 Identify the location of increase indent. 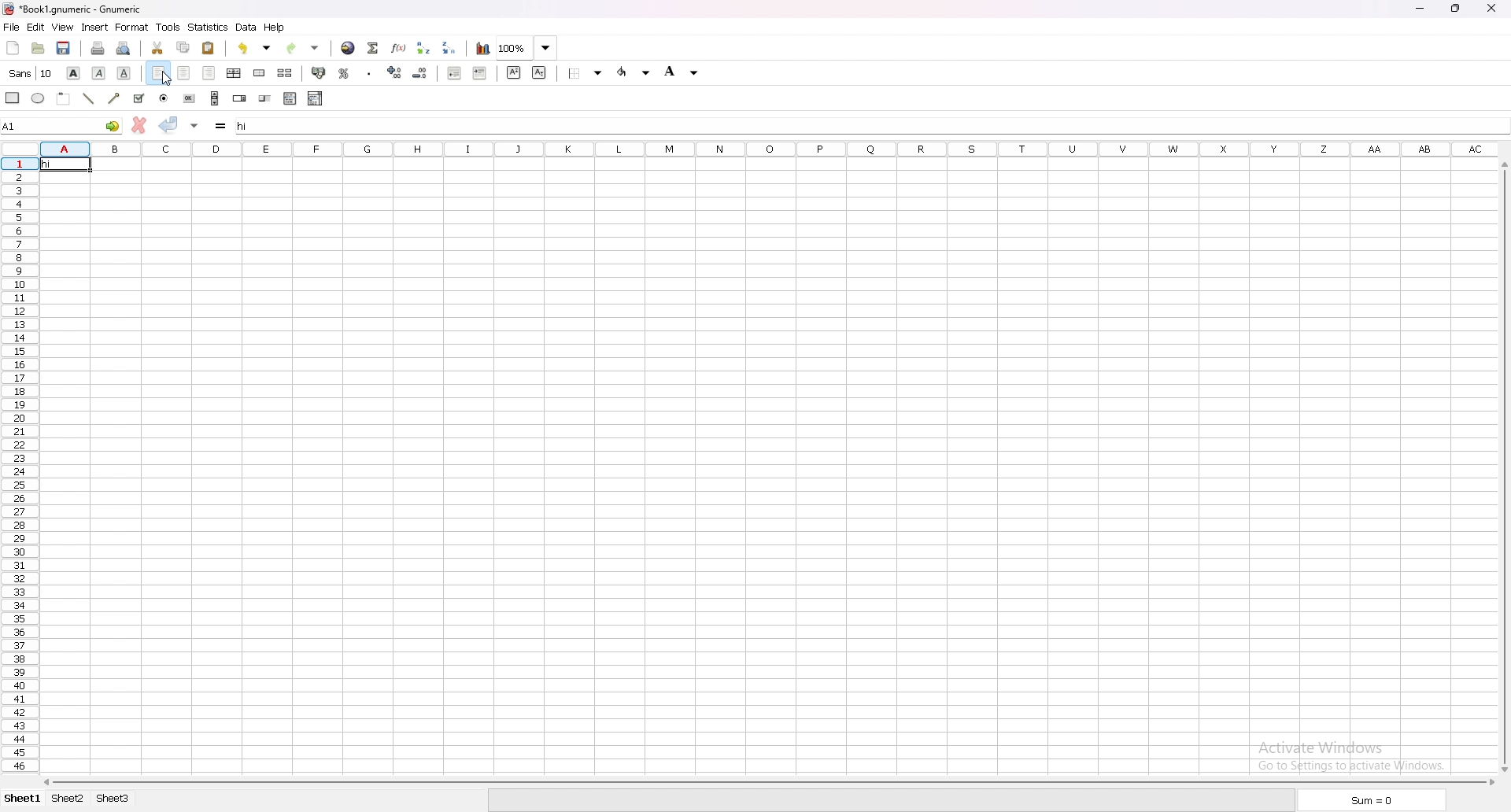
(480, 73).